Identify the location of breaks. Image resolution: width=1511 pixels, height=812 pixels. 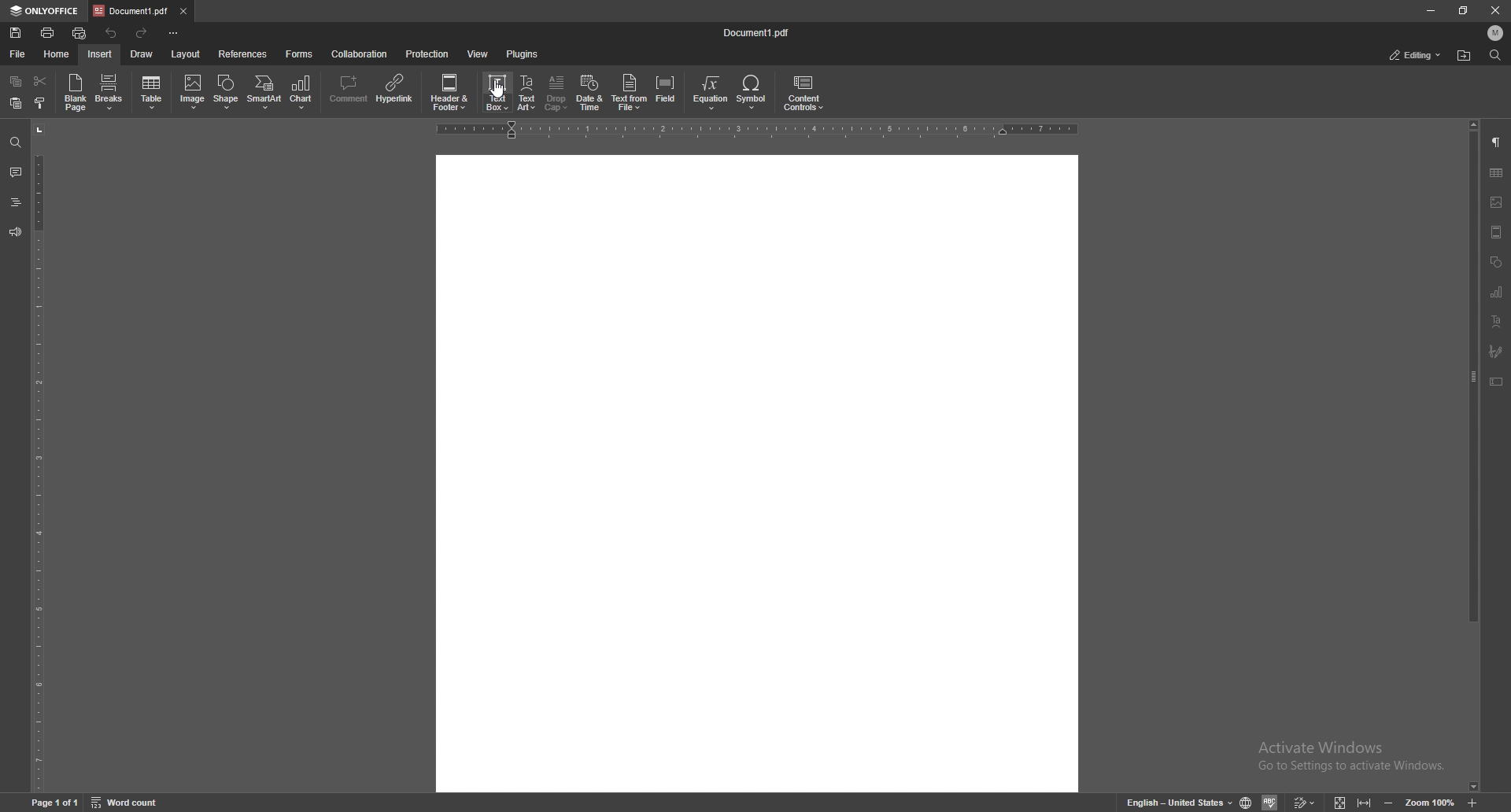
(109, 92).